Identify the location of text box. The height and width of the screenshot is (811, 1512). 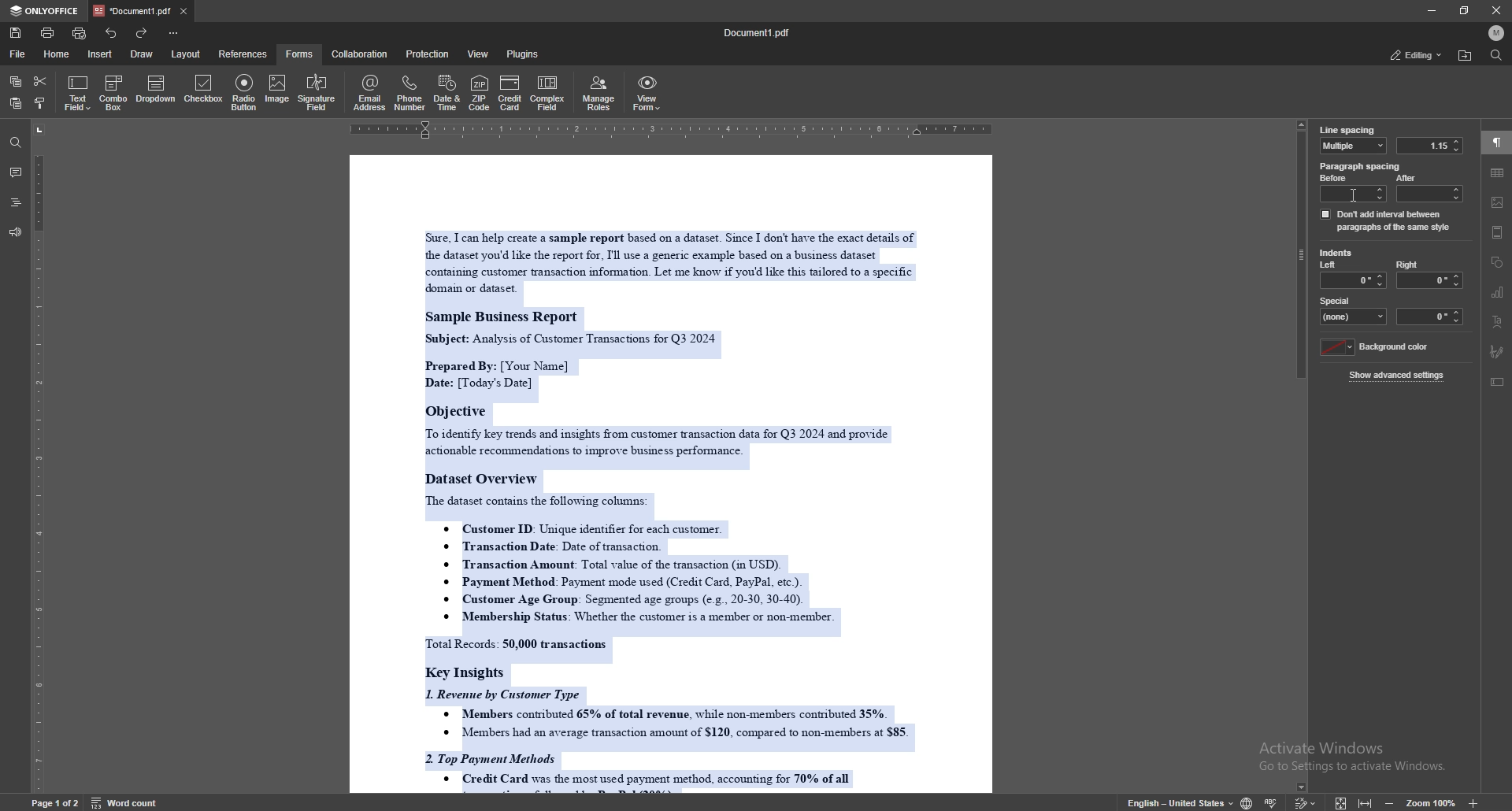
(1499, 382).